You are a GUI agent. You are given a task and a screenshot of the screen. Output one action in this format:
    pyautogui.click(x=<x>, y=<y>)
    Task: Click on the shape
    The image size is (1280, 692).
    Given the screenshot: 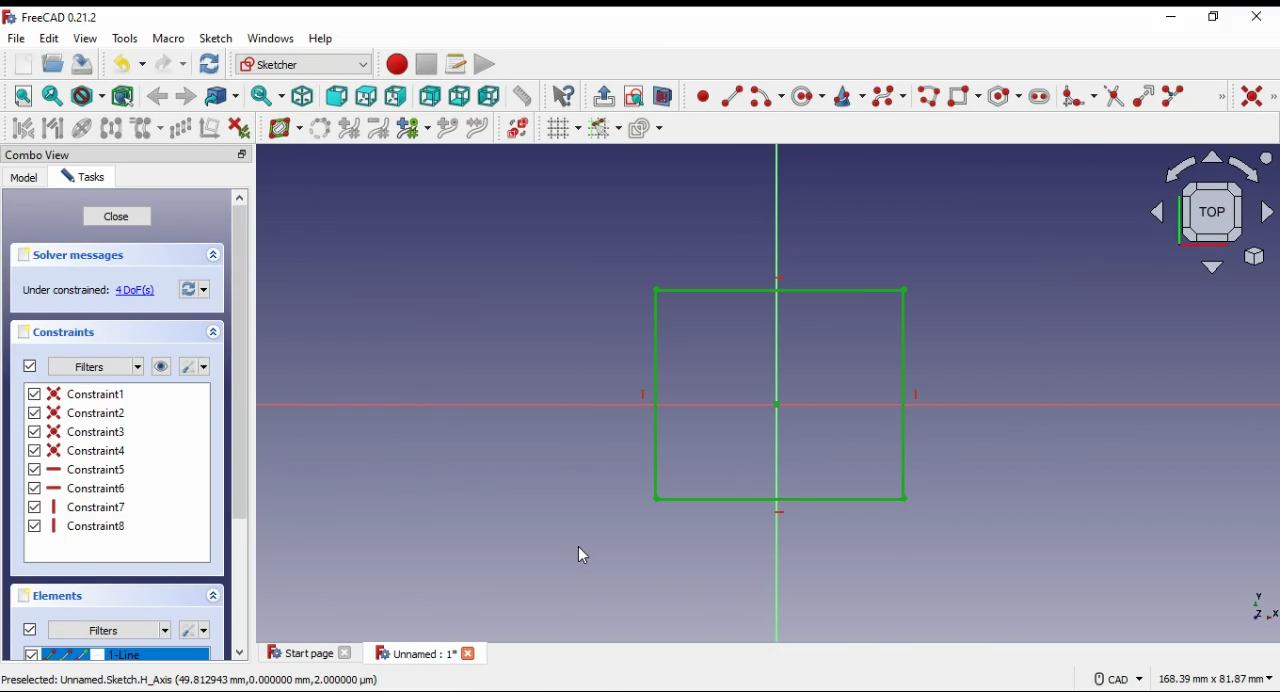 What is the action you would take?
    pyautogui.click(x=780, y=394)
    